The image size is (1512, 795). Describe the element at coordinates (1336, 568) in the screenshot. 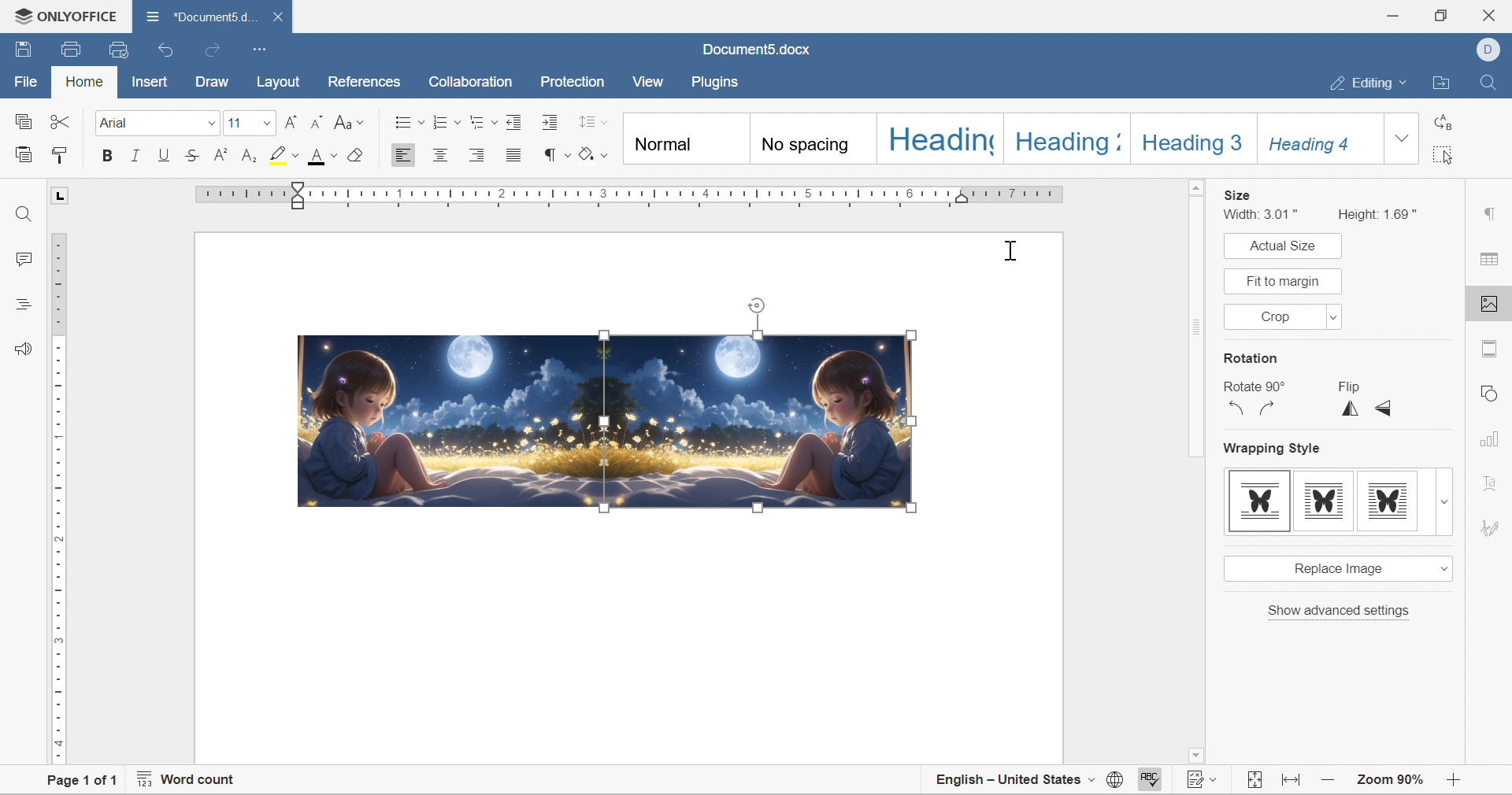

I see `replace image` at that location.